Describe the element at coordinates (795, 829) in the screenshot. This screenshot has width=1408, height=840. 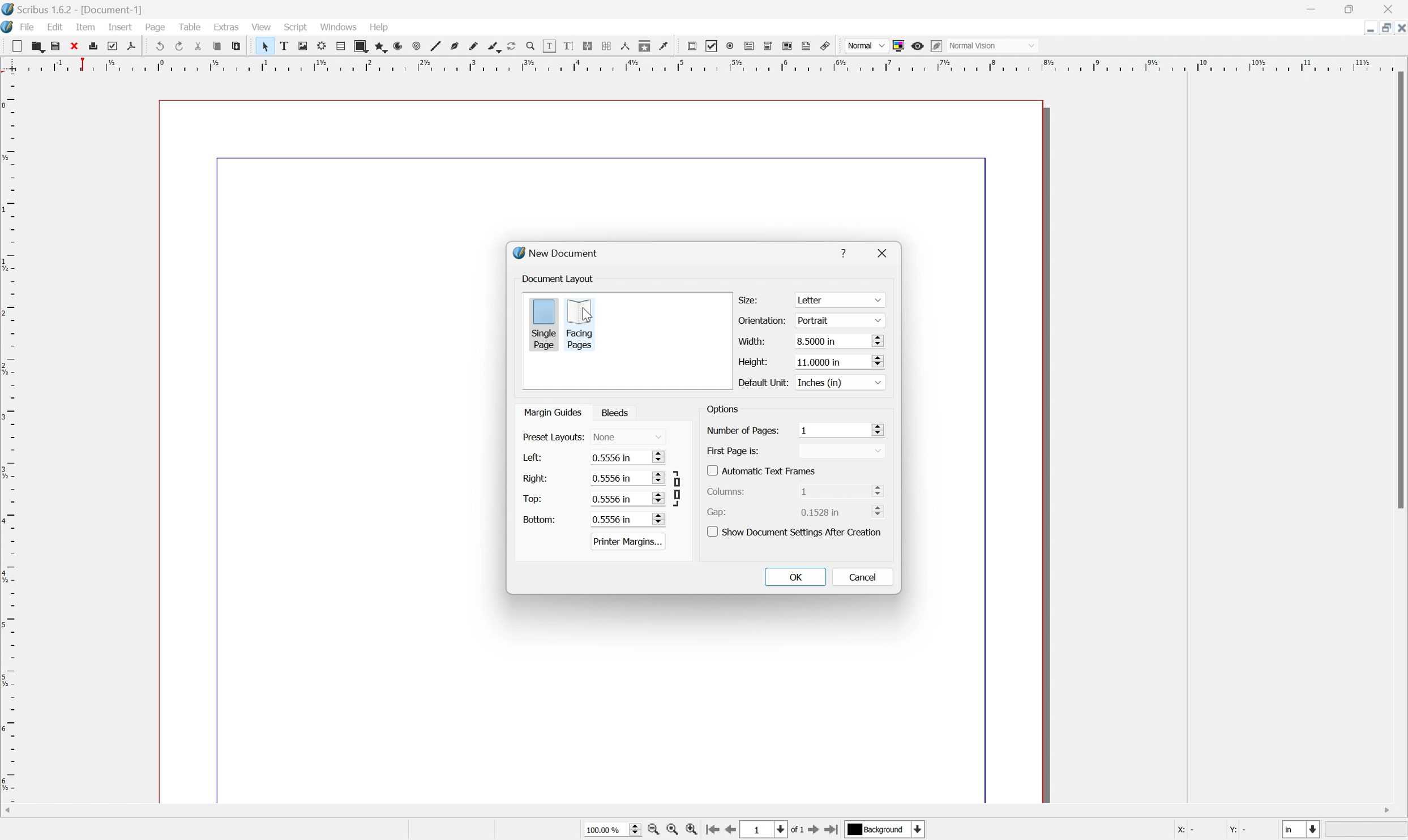
I see `of 1` at that location.